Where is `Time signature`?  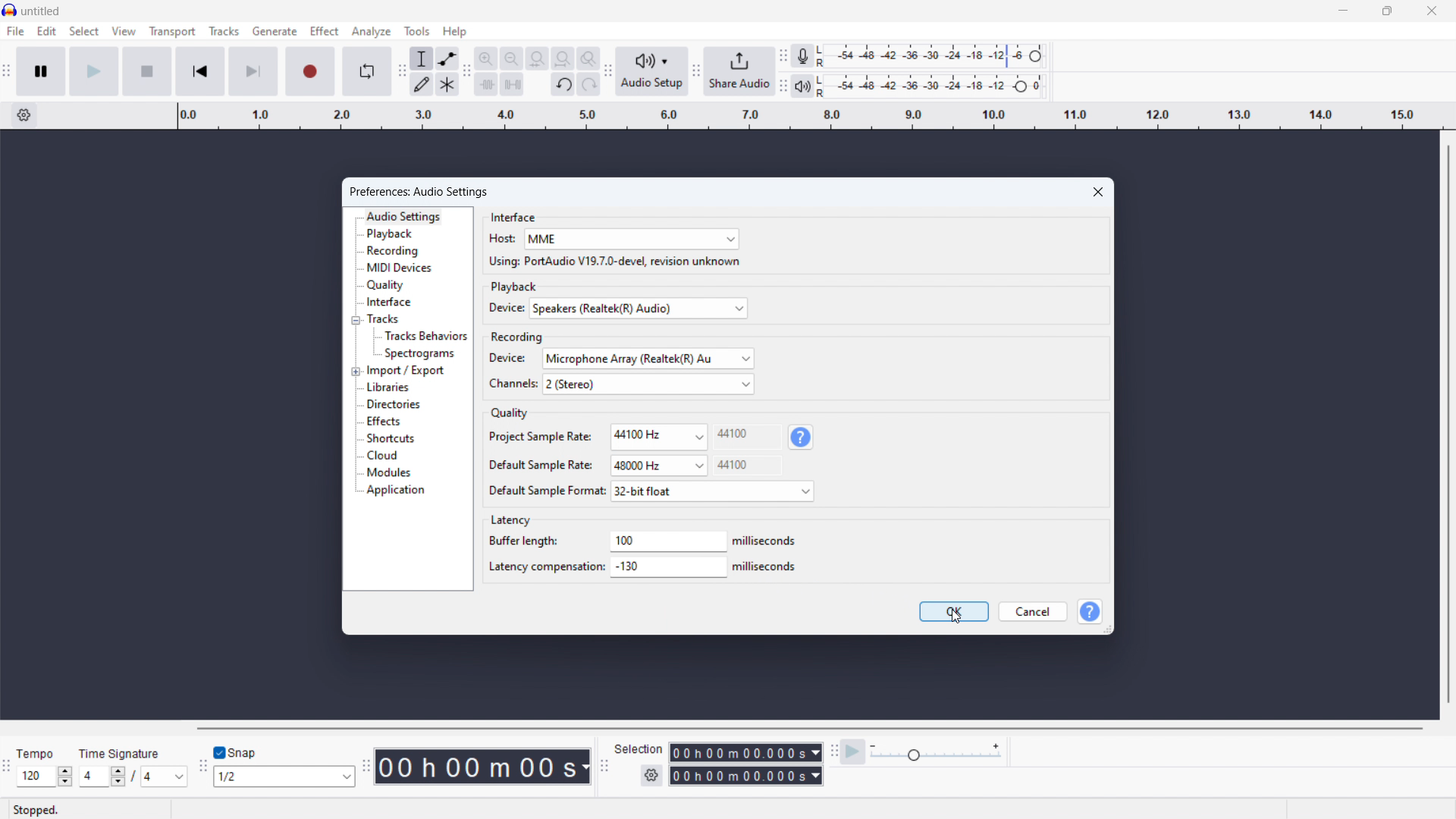 Time signature is located at coordinates (123, 752).